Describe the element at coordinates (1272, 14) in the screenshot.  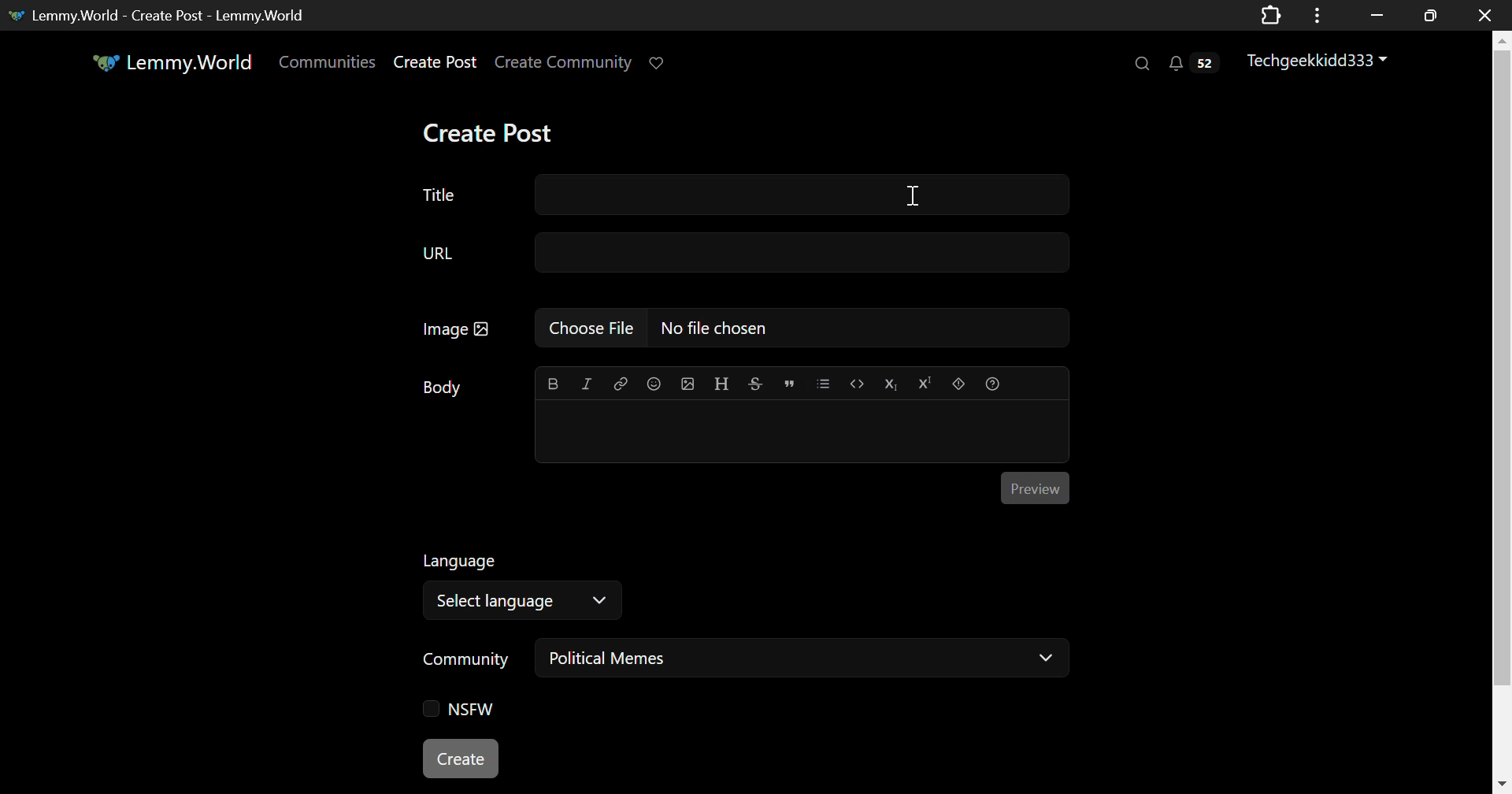
I see `Extensions` at that location.